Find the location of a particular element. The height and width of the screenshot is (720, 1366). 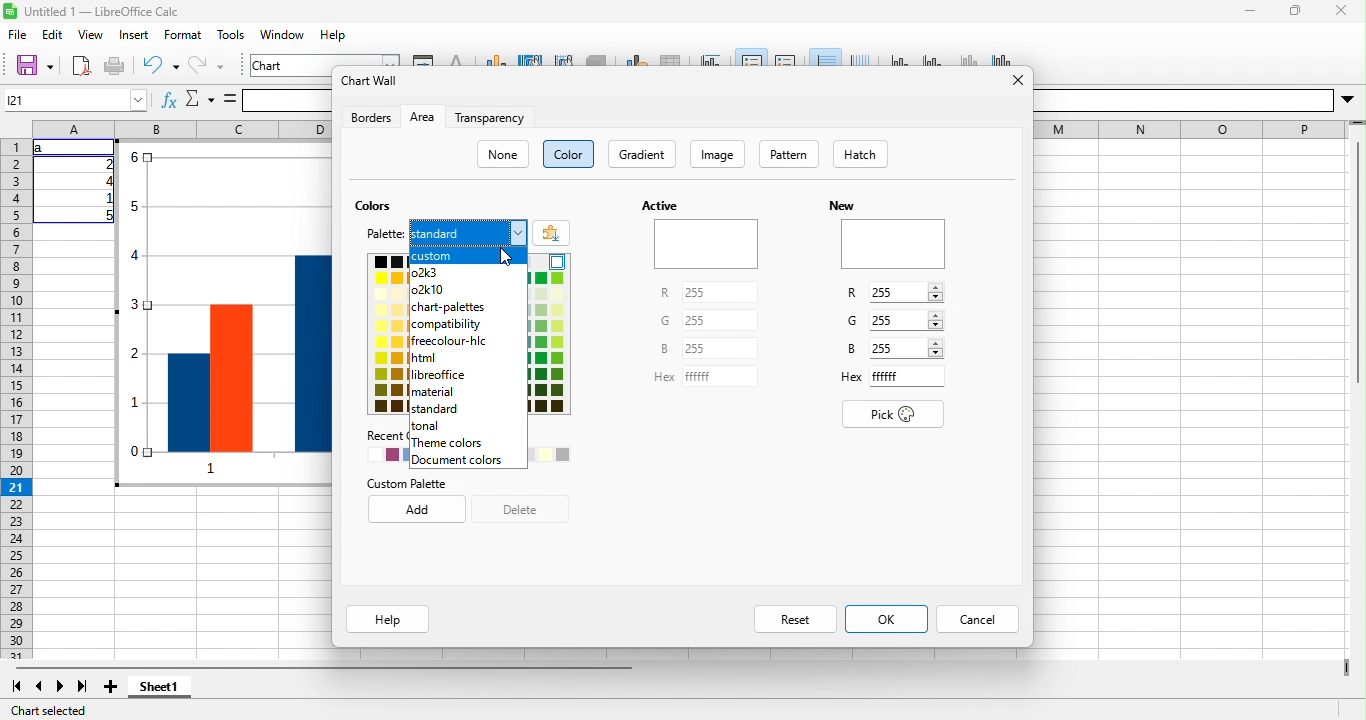

tools is located at coordinates (230, 34).